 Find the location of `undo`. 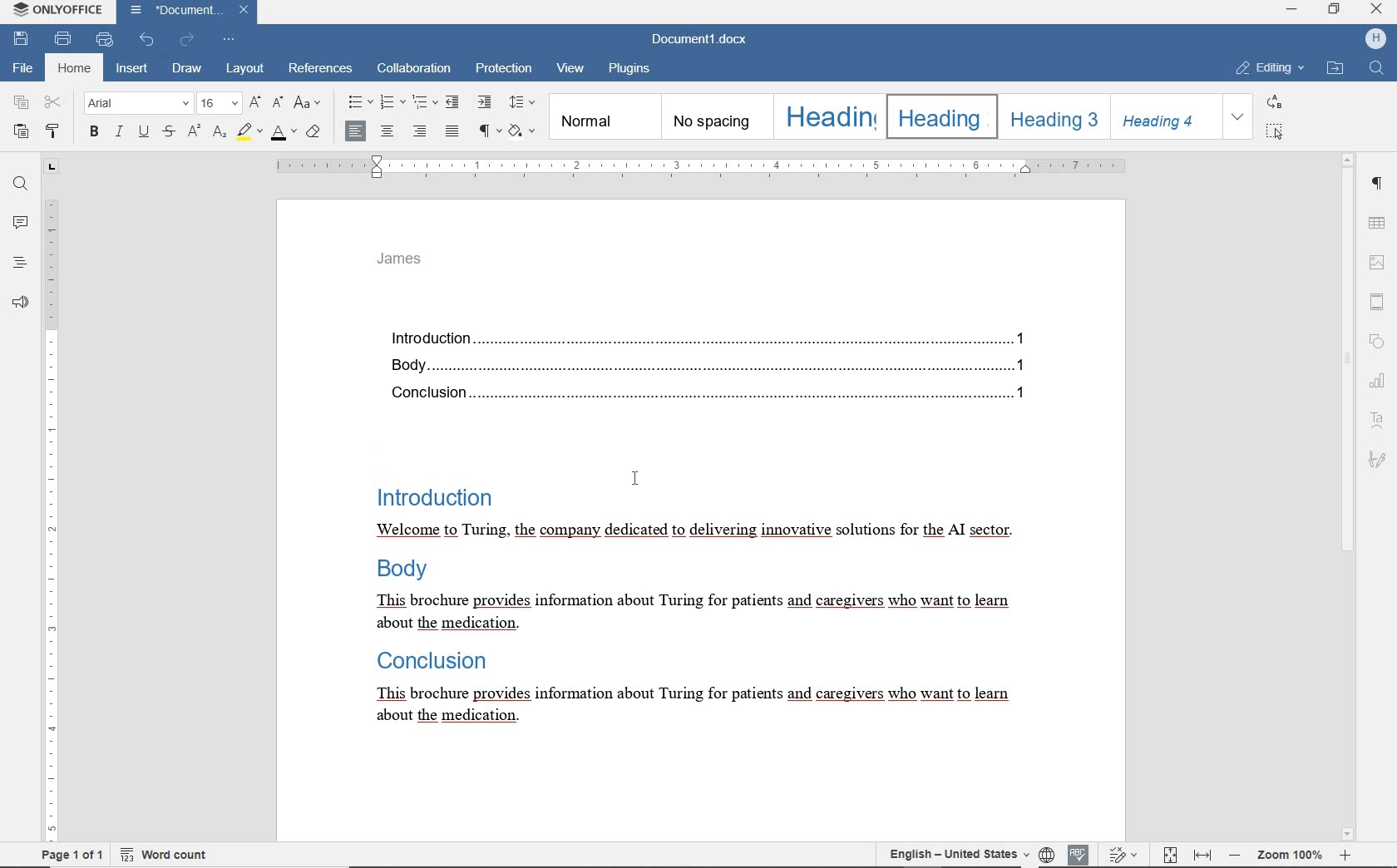

undo is located at coordinates (148, 38).